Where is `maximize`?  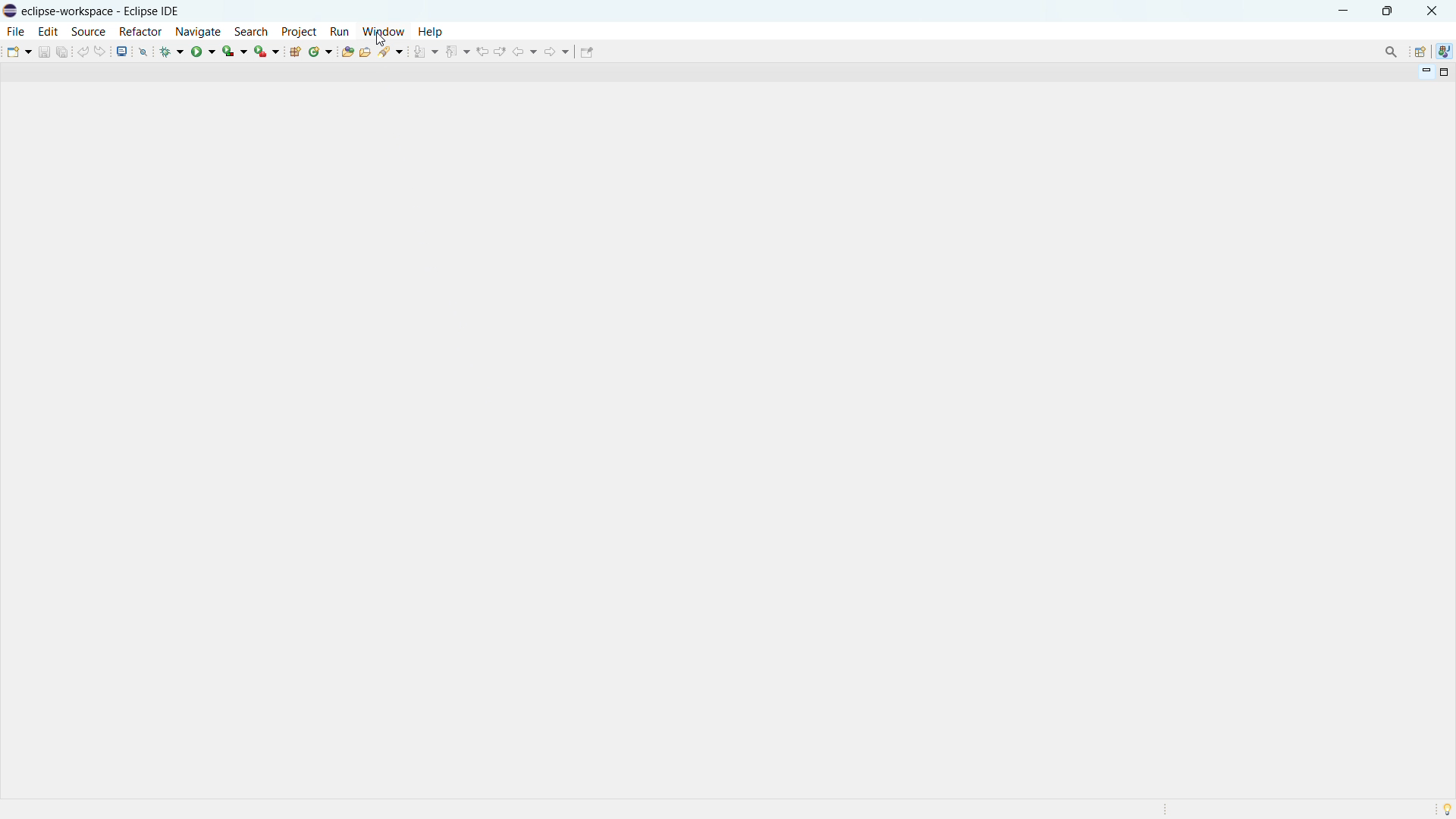 maximize is located at coordinates (1387, 10).